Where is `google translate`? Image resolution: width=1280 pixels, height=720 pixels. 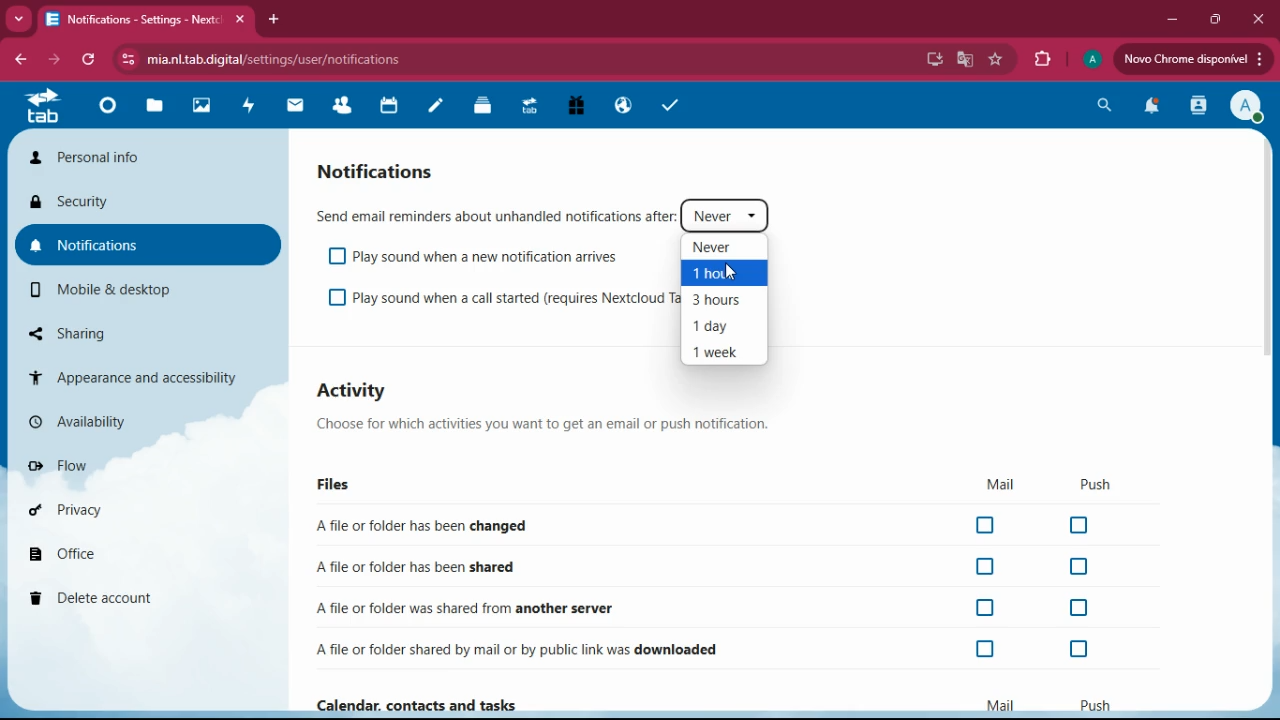
google translate is located at coordinates (962, 59).